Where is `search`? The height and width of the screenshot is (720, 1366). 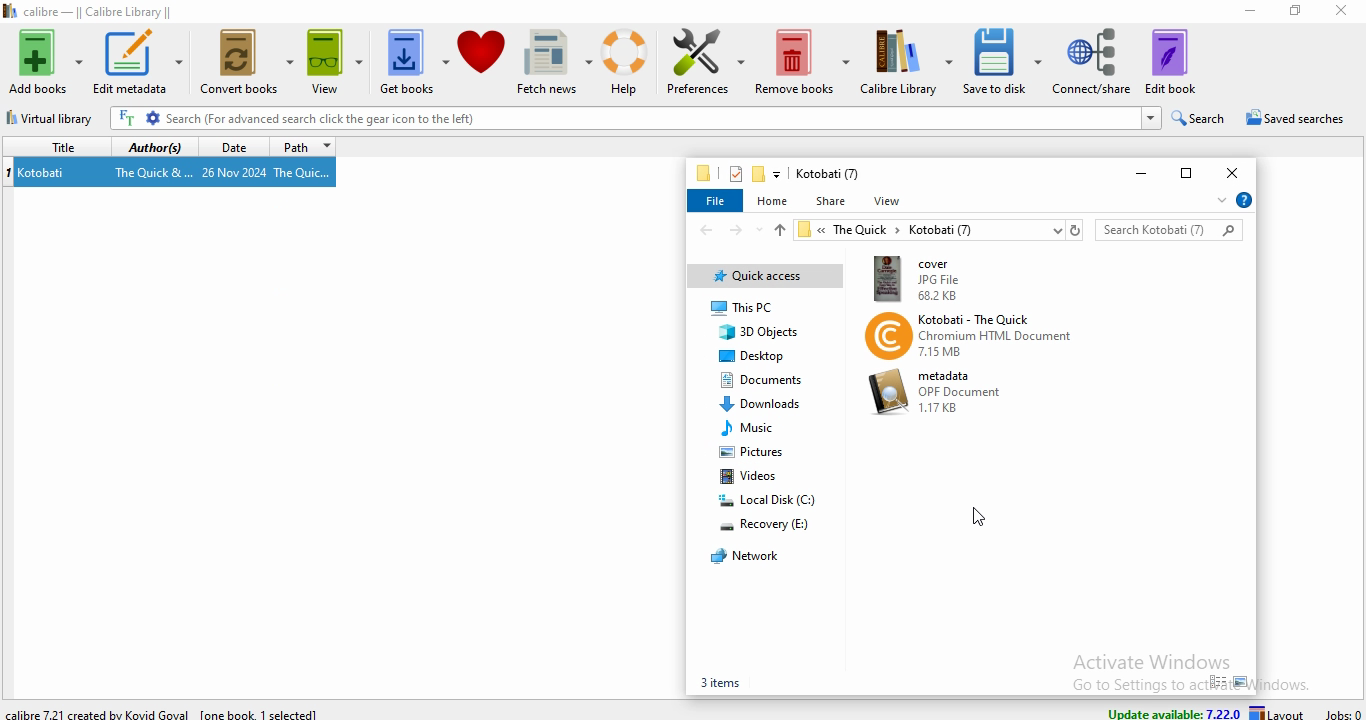 search is located at coordinates (1199, 116).